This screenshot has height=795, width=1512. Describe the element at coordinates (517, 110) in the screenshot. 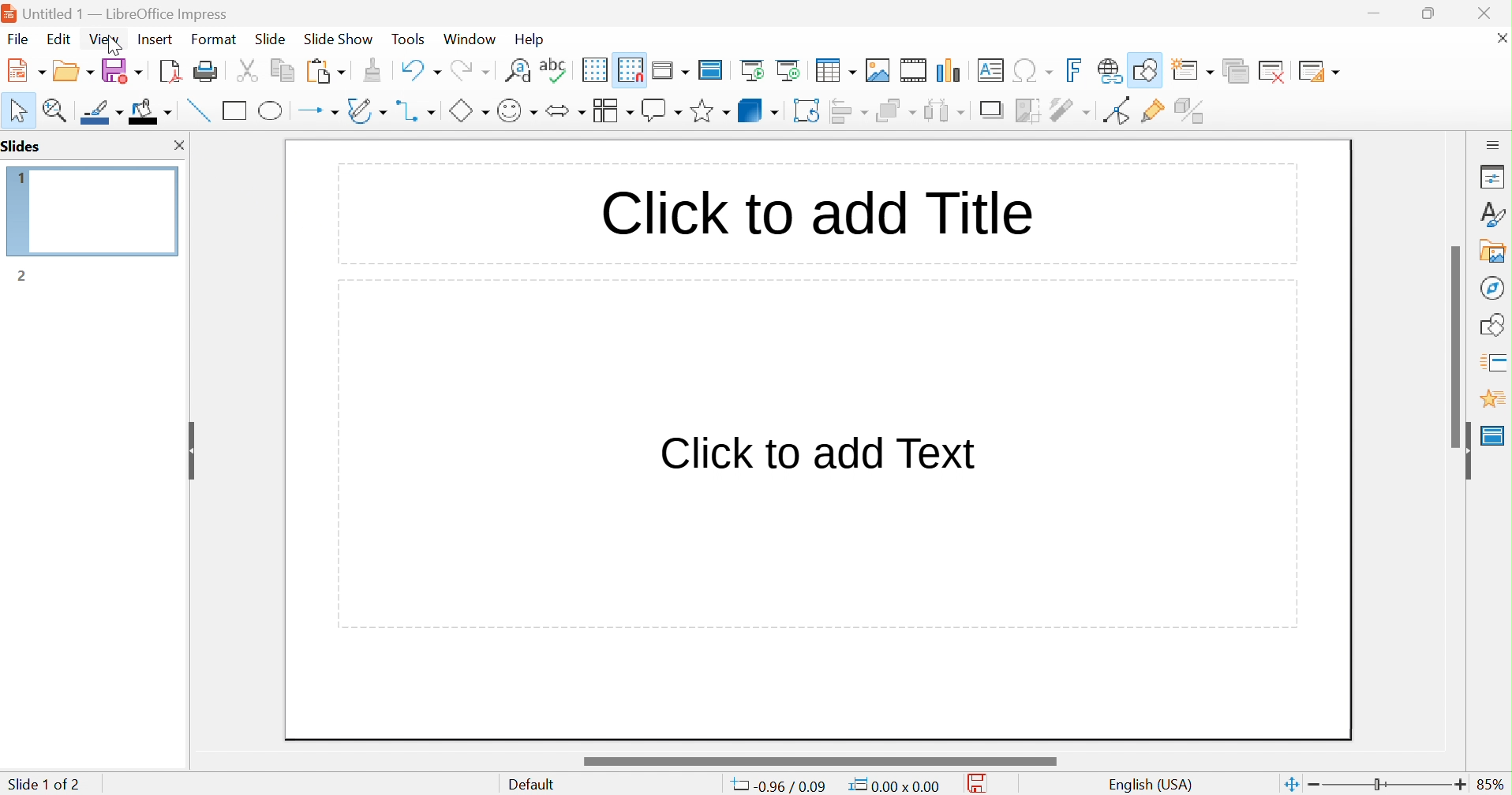

I see `symbol shapes` at that location.